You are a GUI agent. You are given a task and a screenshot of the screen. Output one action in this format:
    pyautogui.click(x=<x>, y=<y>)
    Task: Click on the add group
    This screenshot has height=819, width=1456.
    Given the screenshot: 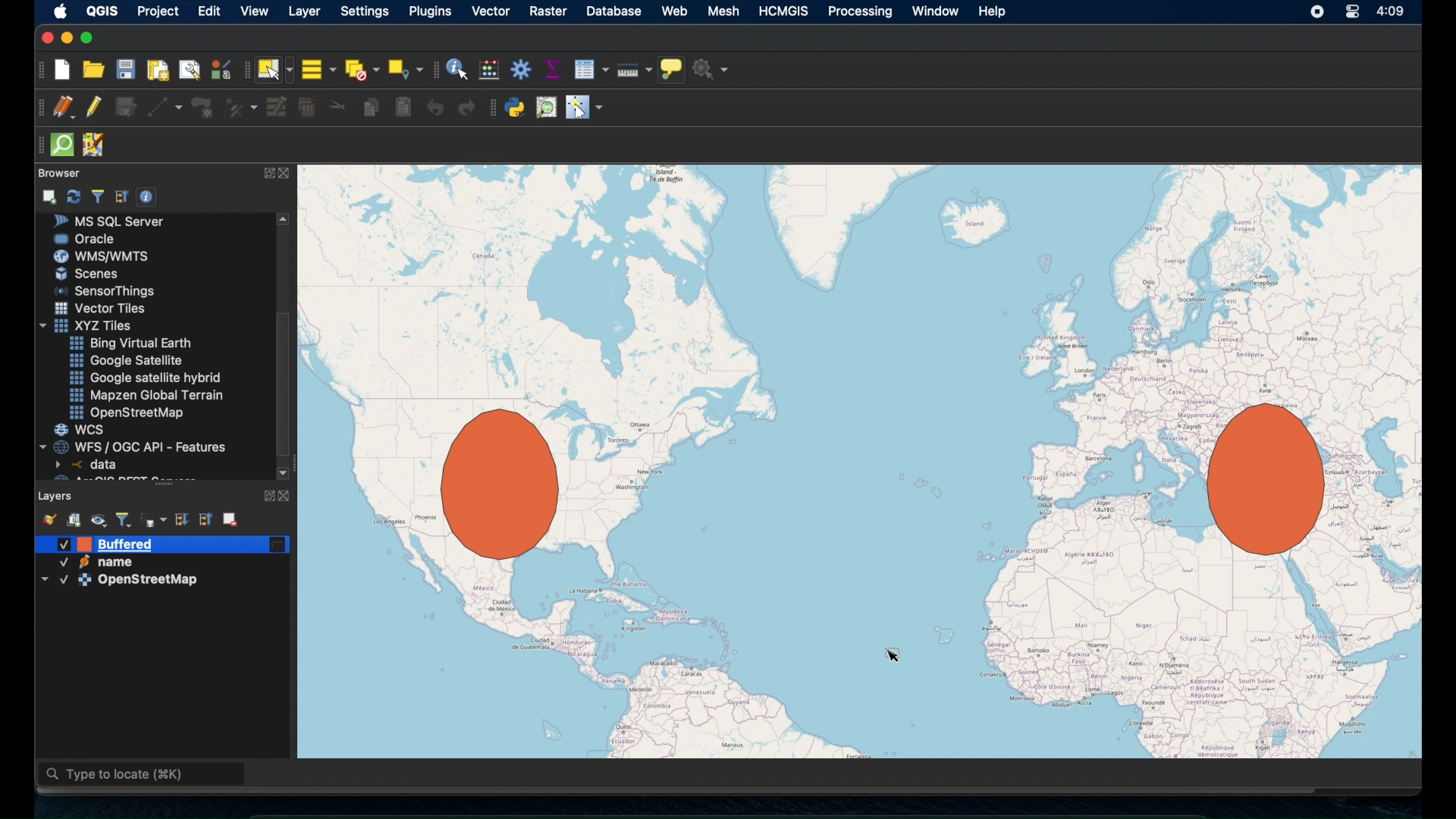 What is the action you would take?
    pyautogui.click(x=74, y=521)
    